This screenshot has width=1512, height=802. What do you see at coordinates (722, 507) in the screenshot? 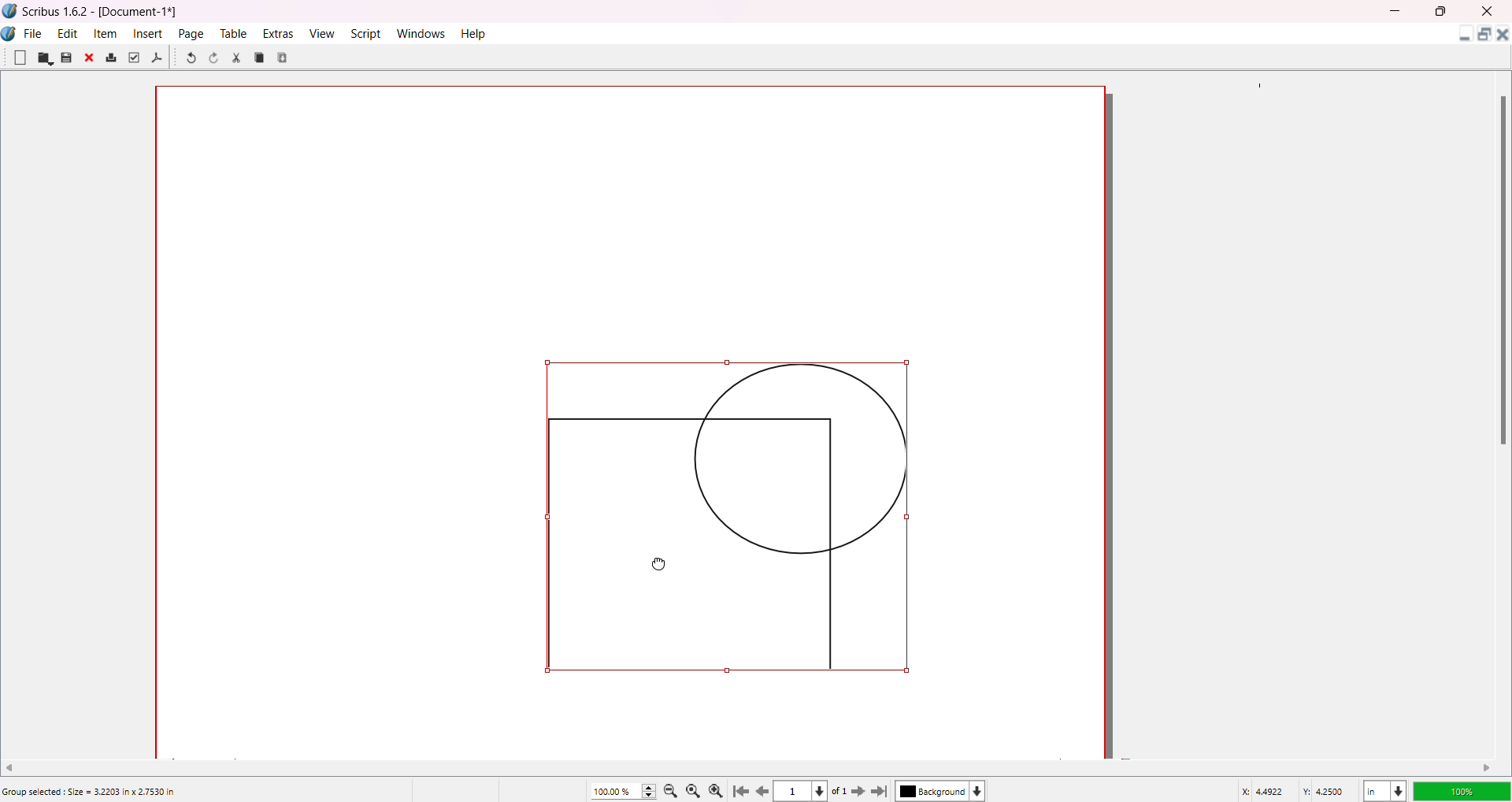
I see `Object position changed` at bounding box center [722, 507].